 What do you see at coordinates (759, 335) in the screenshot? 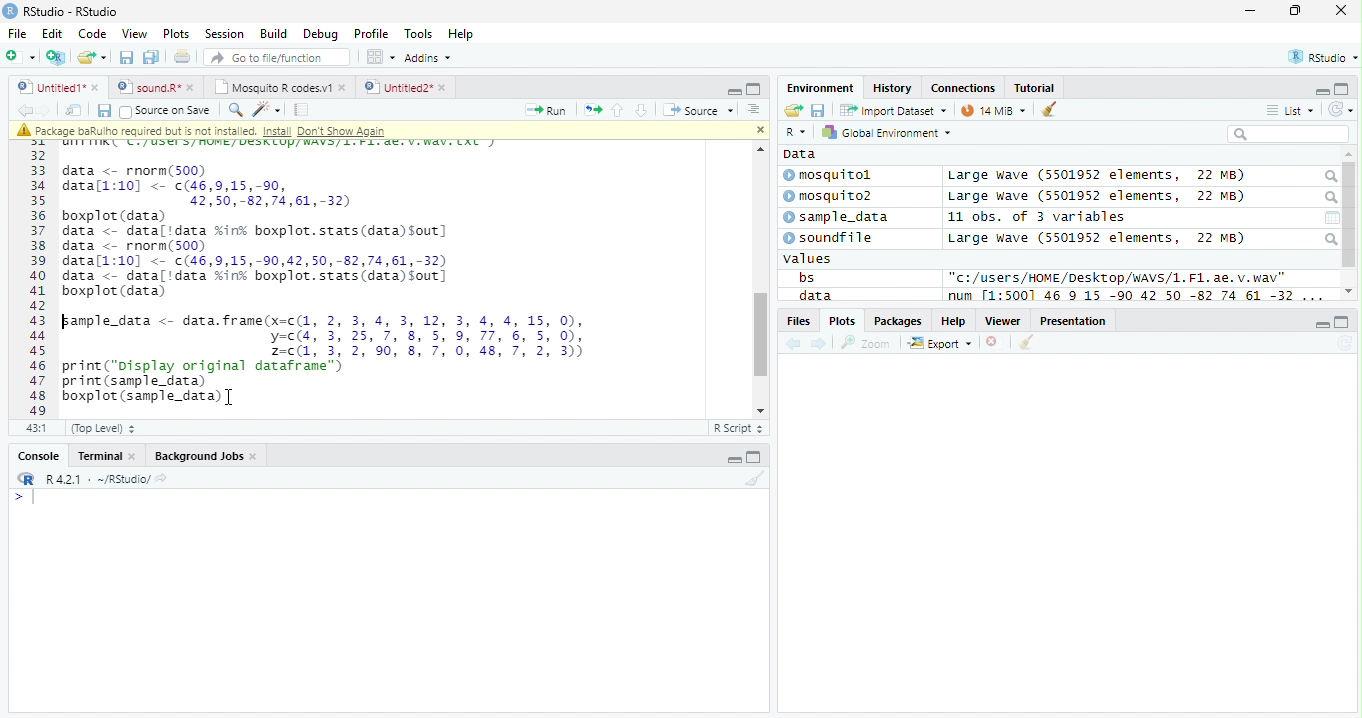
I see `scroll bar` at bounding box center [759, 335].